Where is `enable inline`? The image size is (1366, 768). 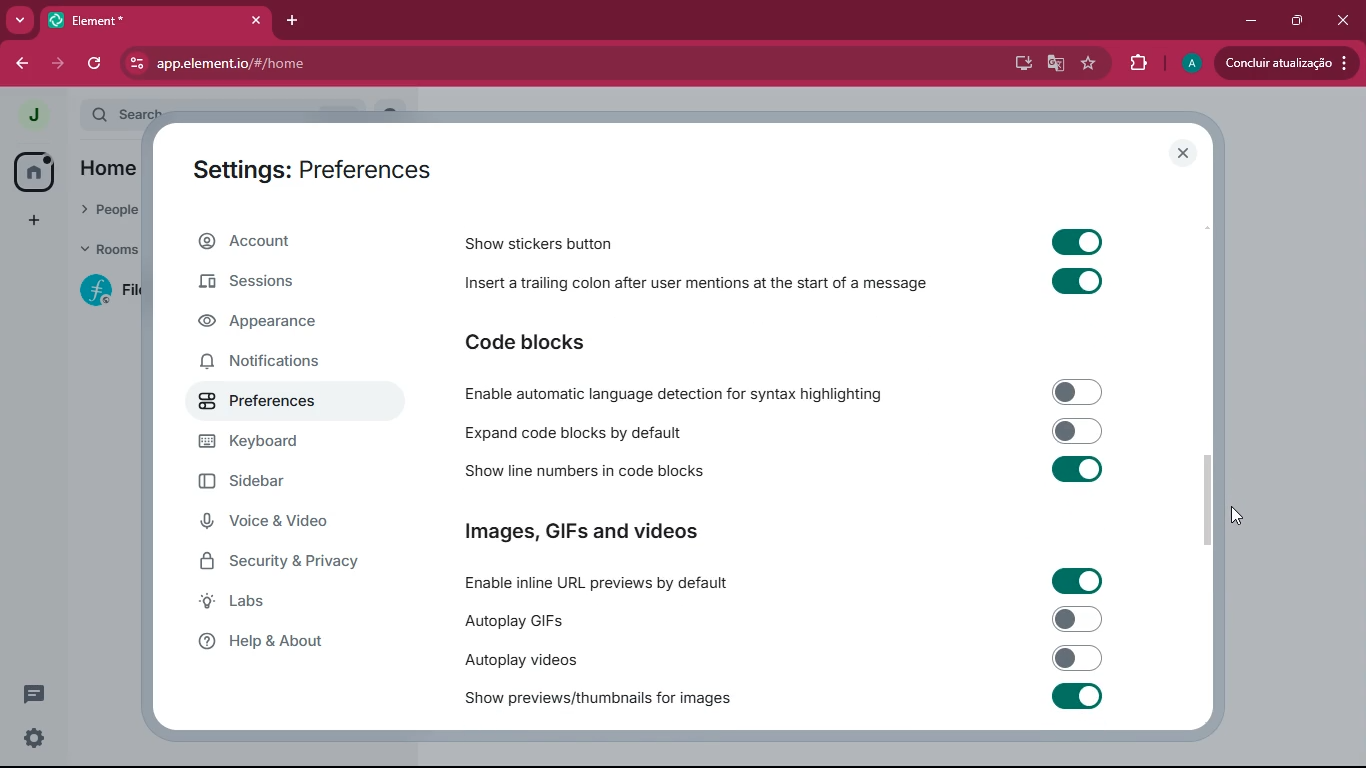 enable inline is located at coordinates (599, 584).